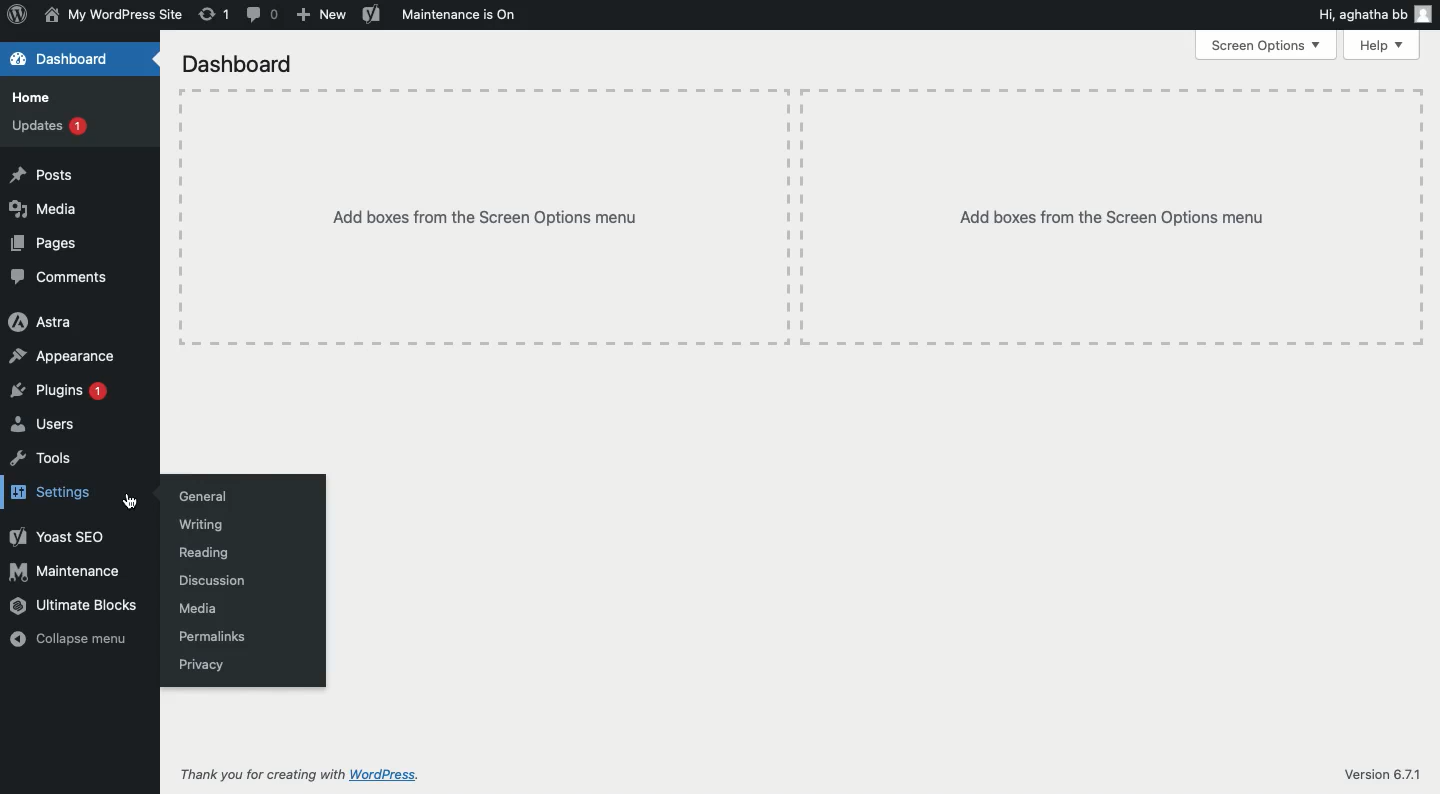 The width and height of the screenshot is (1440, 794). What do you see at coordinates (51, 125) in the screenshot?
I see `Updates` at bounding box center [51, 125].